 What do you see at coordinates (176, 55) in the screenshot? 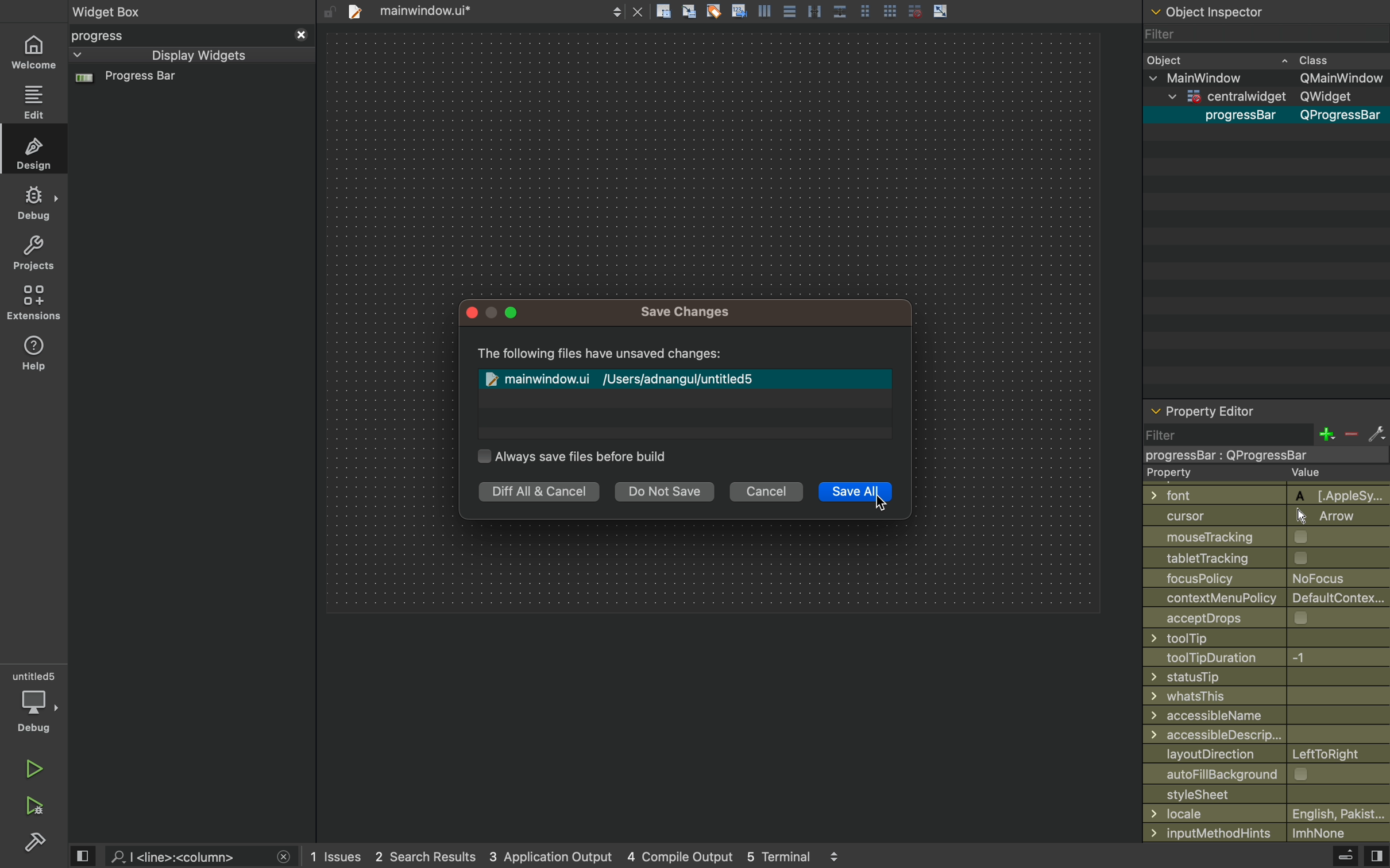
I see `display widget` at bounding box center [176, 55].